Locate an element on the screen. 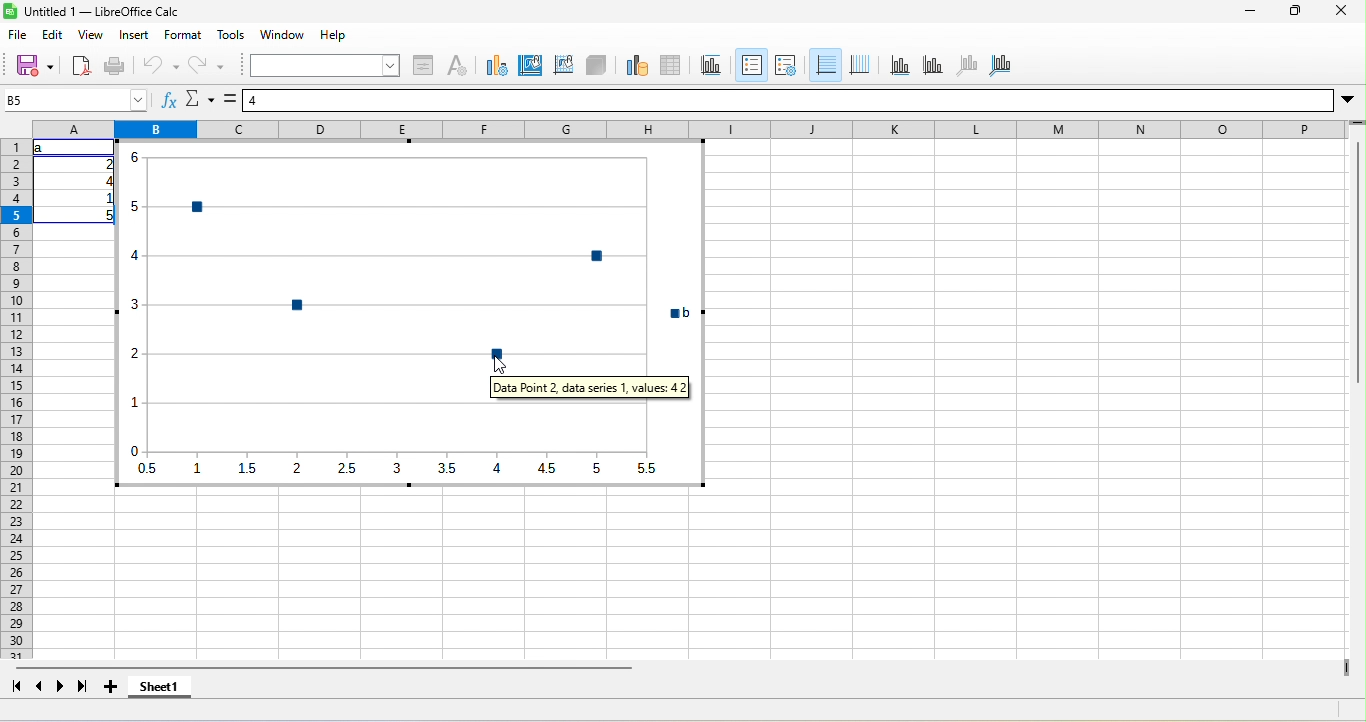 The height and width of the screenshot is (722, 1366). sheet1 is located at coordinates (160, 686).